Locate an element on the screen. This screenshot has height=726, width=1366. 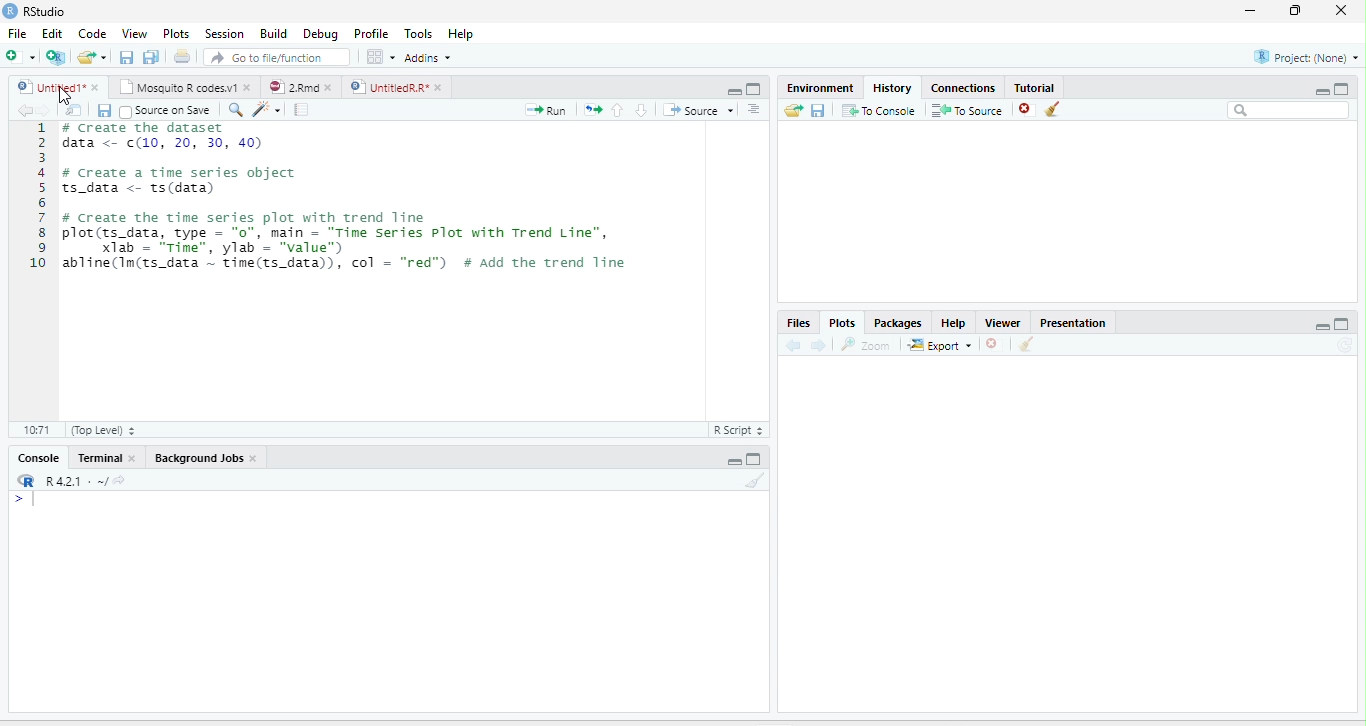
Open an existing file is located at coordinates (86, 56).